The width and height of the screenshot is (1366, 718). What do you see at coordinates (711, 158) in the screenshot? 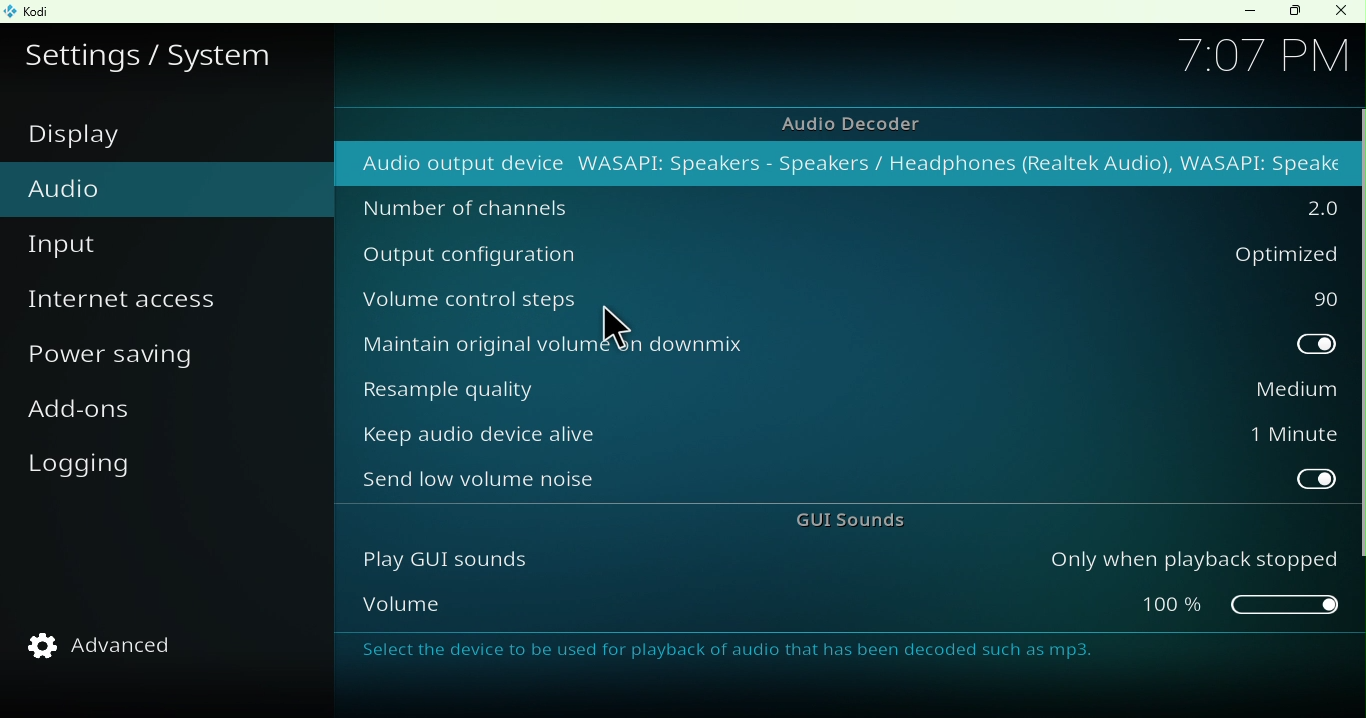
I see `Audio output device` at bounding box center [711, 158].